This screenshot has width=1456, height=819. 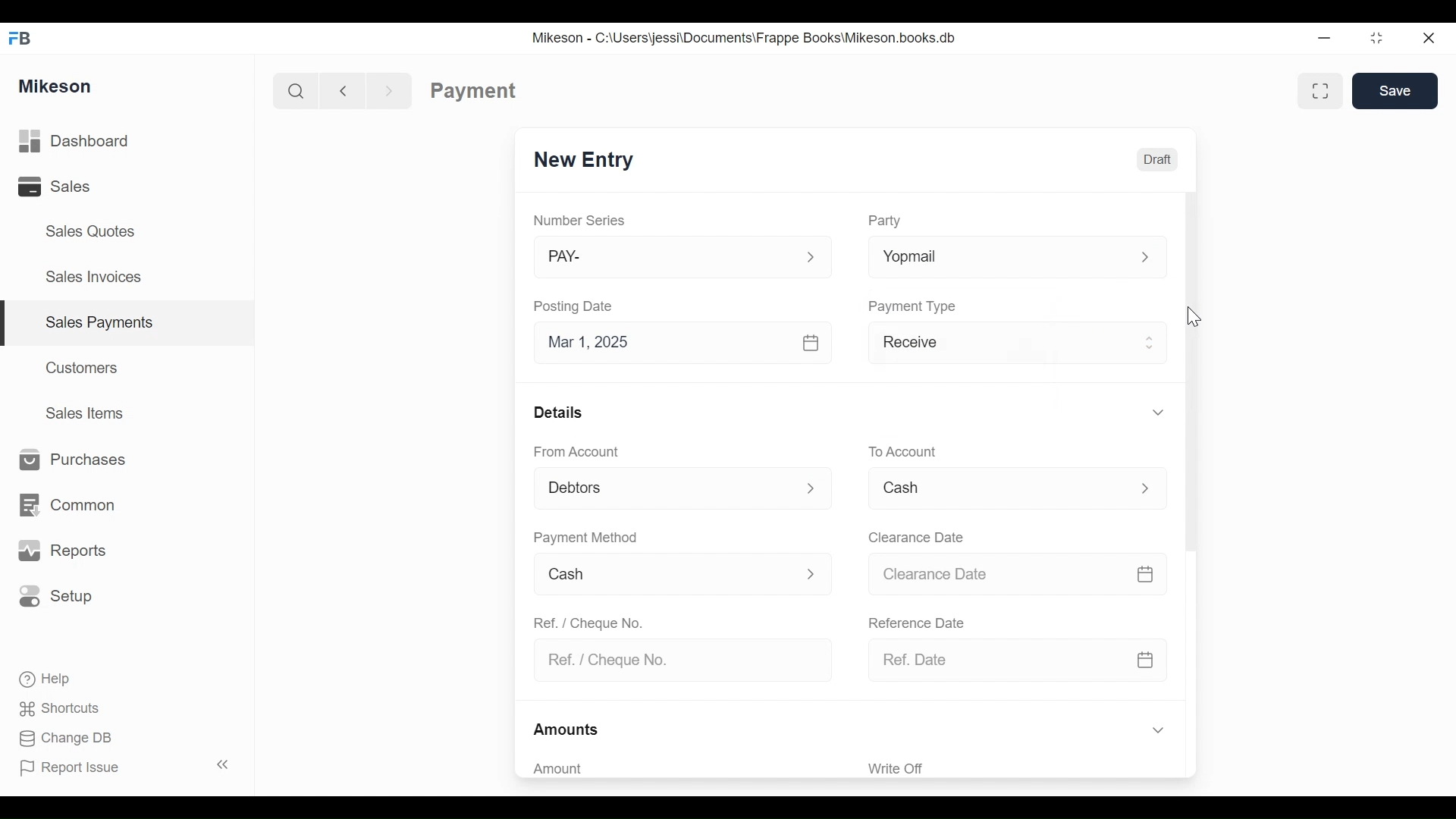 What do you see at coordinates (1318, 92) in the screenshot?
I see `Full width toggle` at bounding box center [1318, 92].